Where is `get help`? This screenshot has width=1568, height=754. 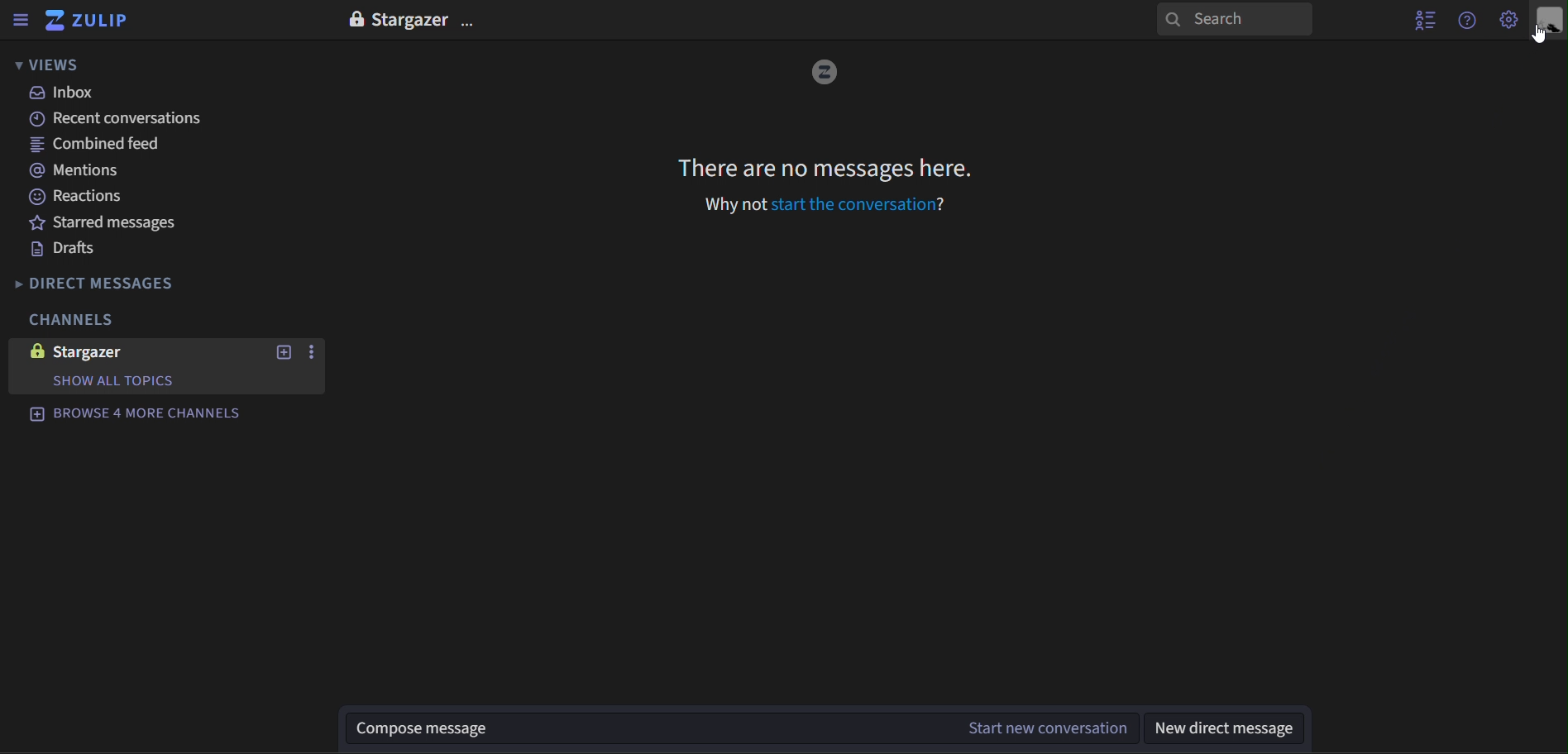
get help is located at coordinates (1466, 21).